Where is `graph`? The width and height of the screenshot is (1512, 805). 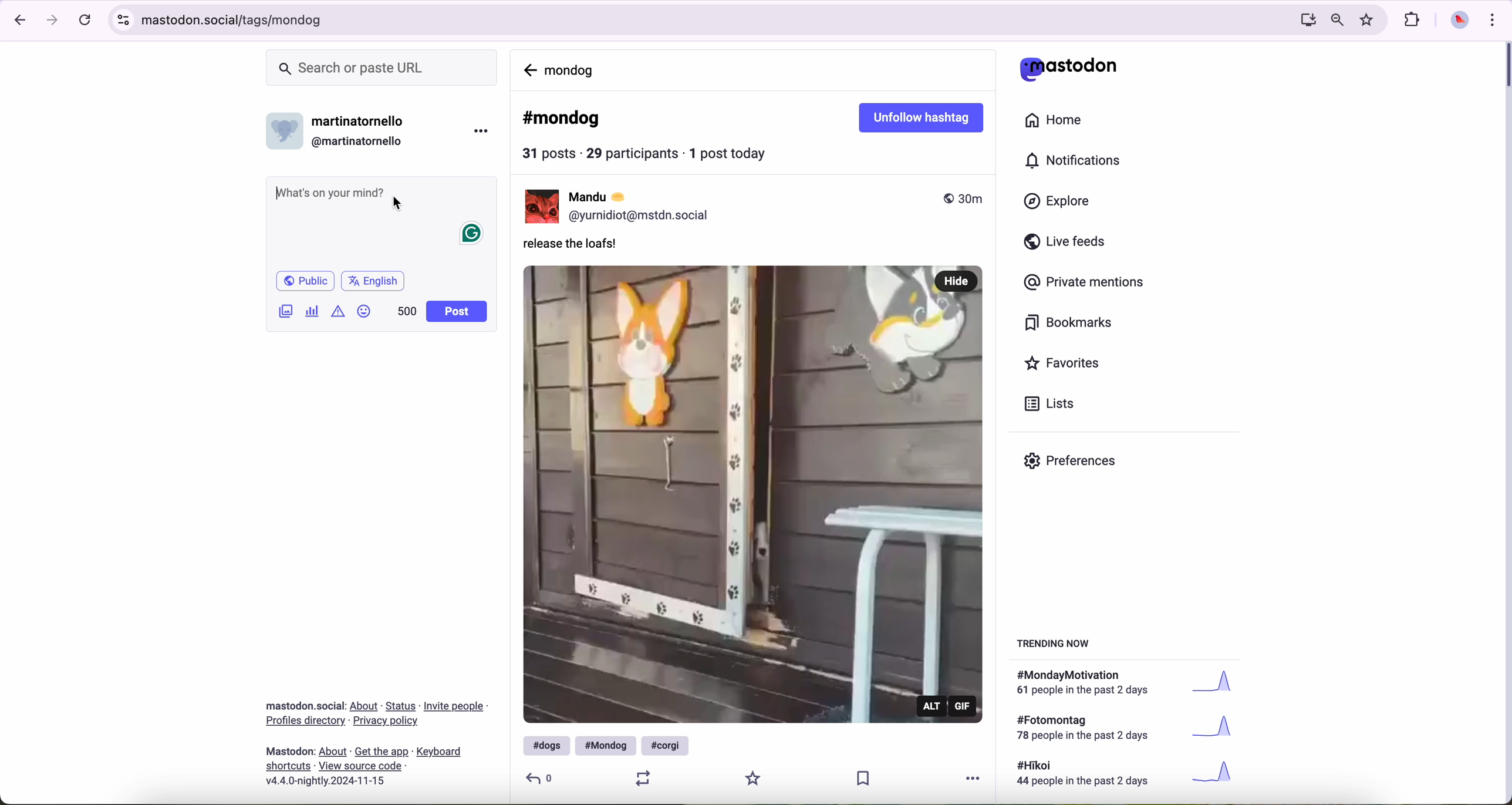
graph is located at coordinates (1219, 730).